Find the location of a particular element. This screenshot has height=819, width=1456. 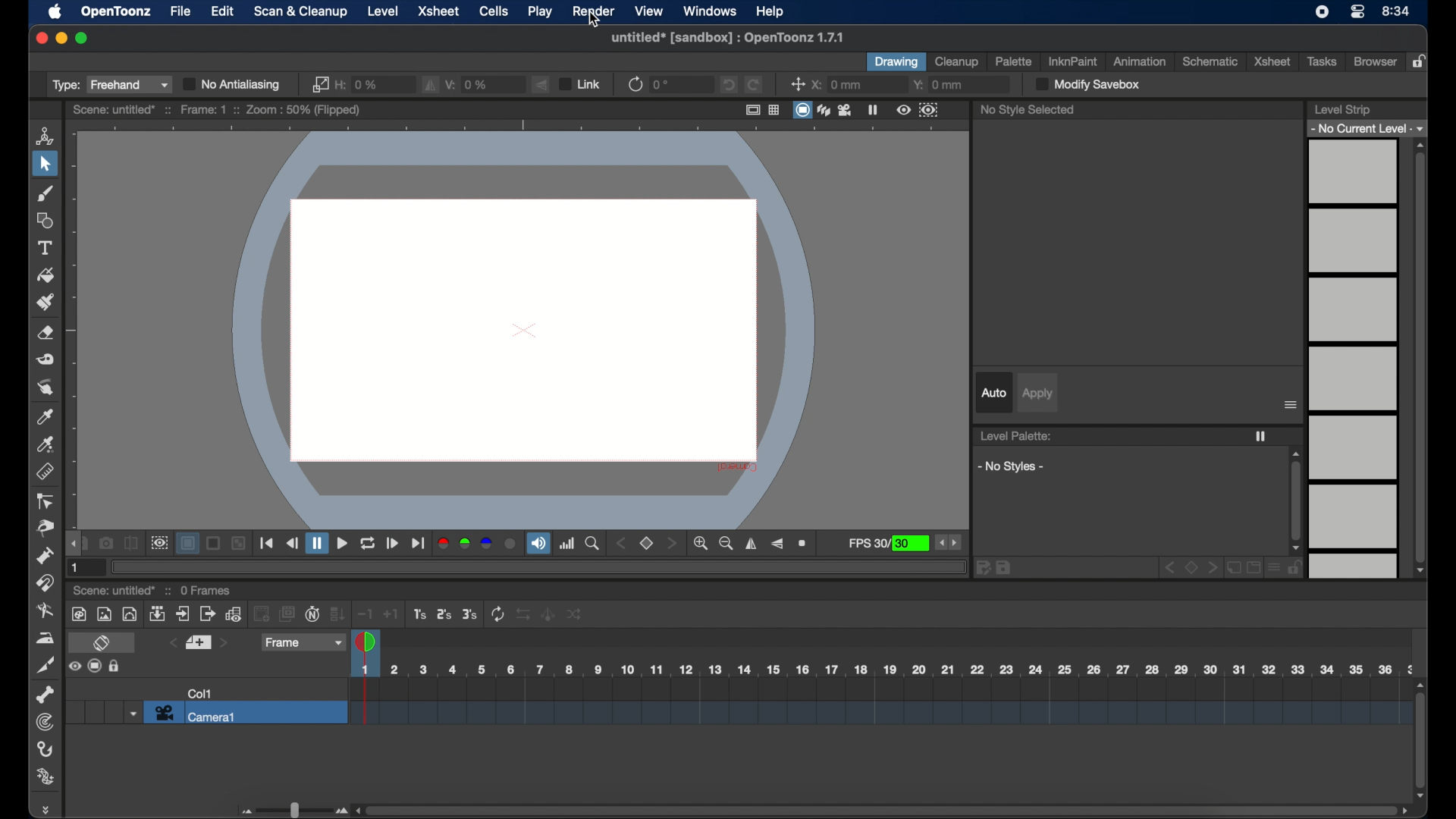

animation is located at coordinates (1138, 61).